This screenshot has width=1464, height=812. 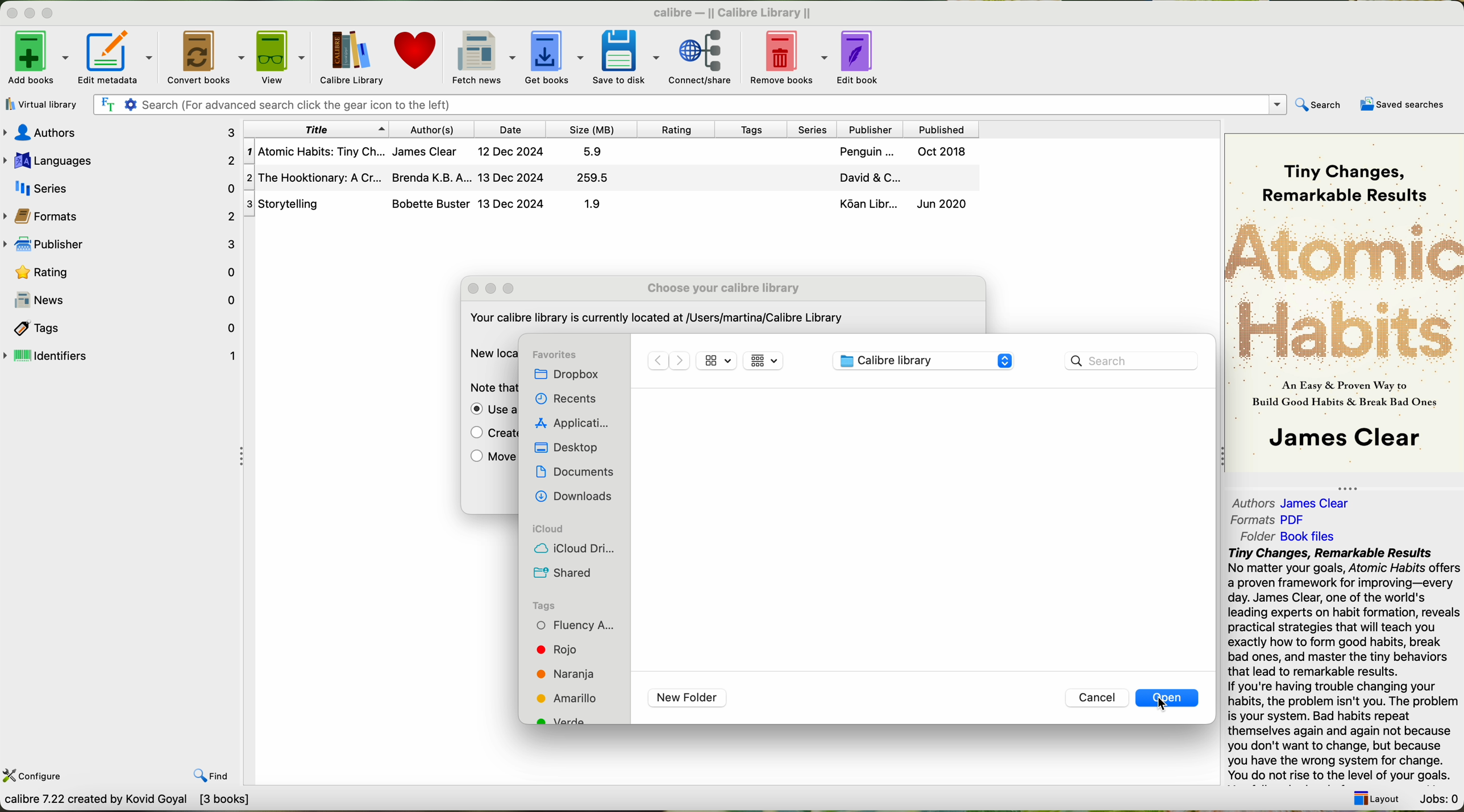 I want to click on search bar, so click(x=1130, y=361).